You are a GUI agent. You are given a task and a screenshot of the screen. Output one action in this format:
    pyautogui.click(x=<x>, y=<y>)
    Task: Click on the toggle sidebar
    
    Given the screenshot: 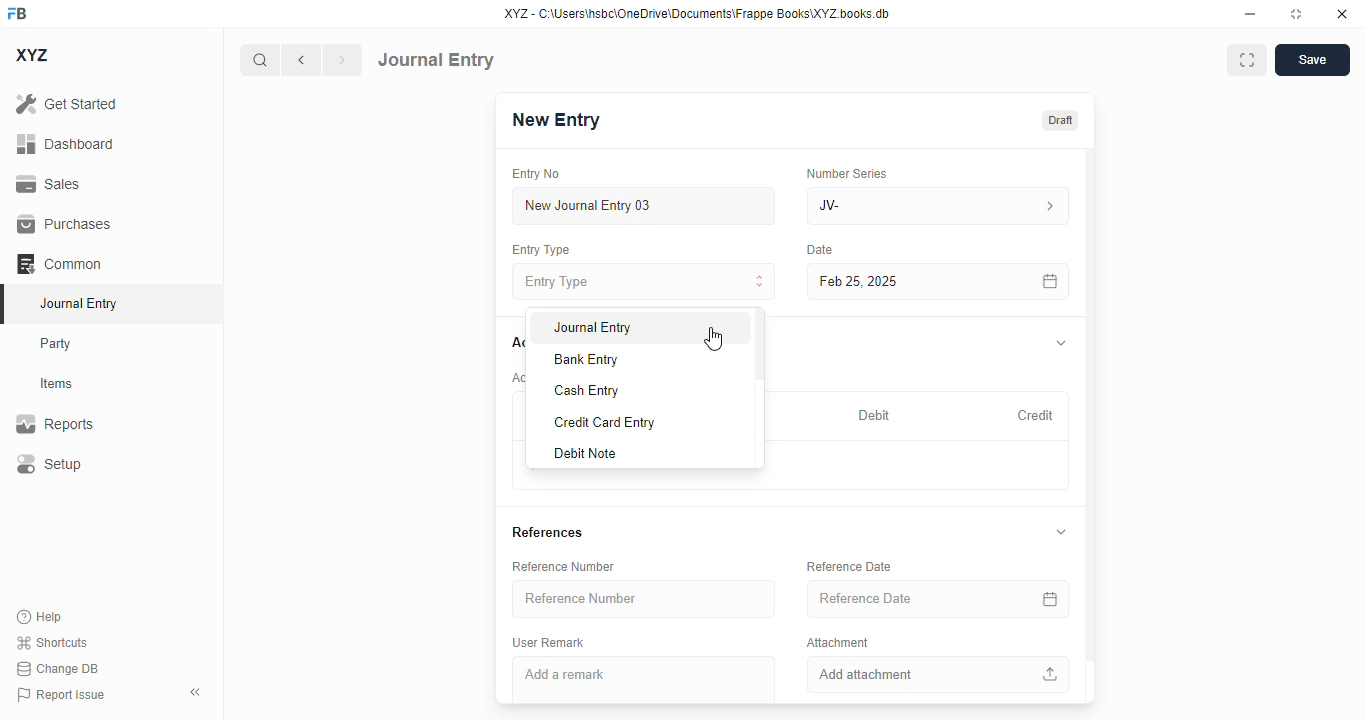 What is the action you would take?
    pyautogui.click(x=197, y=692)
    